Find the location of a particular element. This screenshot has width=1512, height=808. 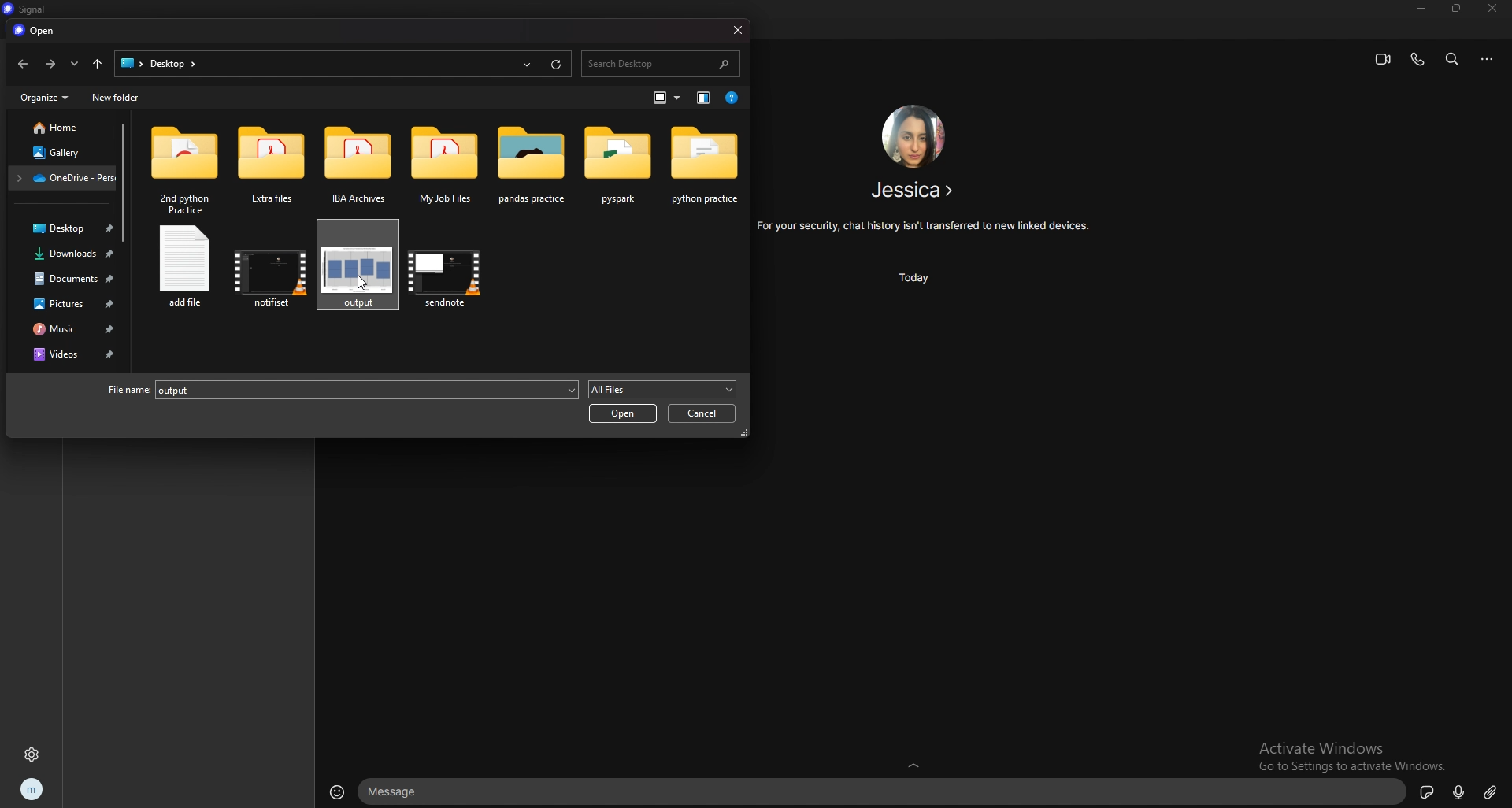

desktop is located at coordinates (161, 65).